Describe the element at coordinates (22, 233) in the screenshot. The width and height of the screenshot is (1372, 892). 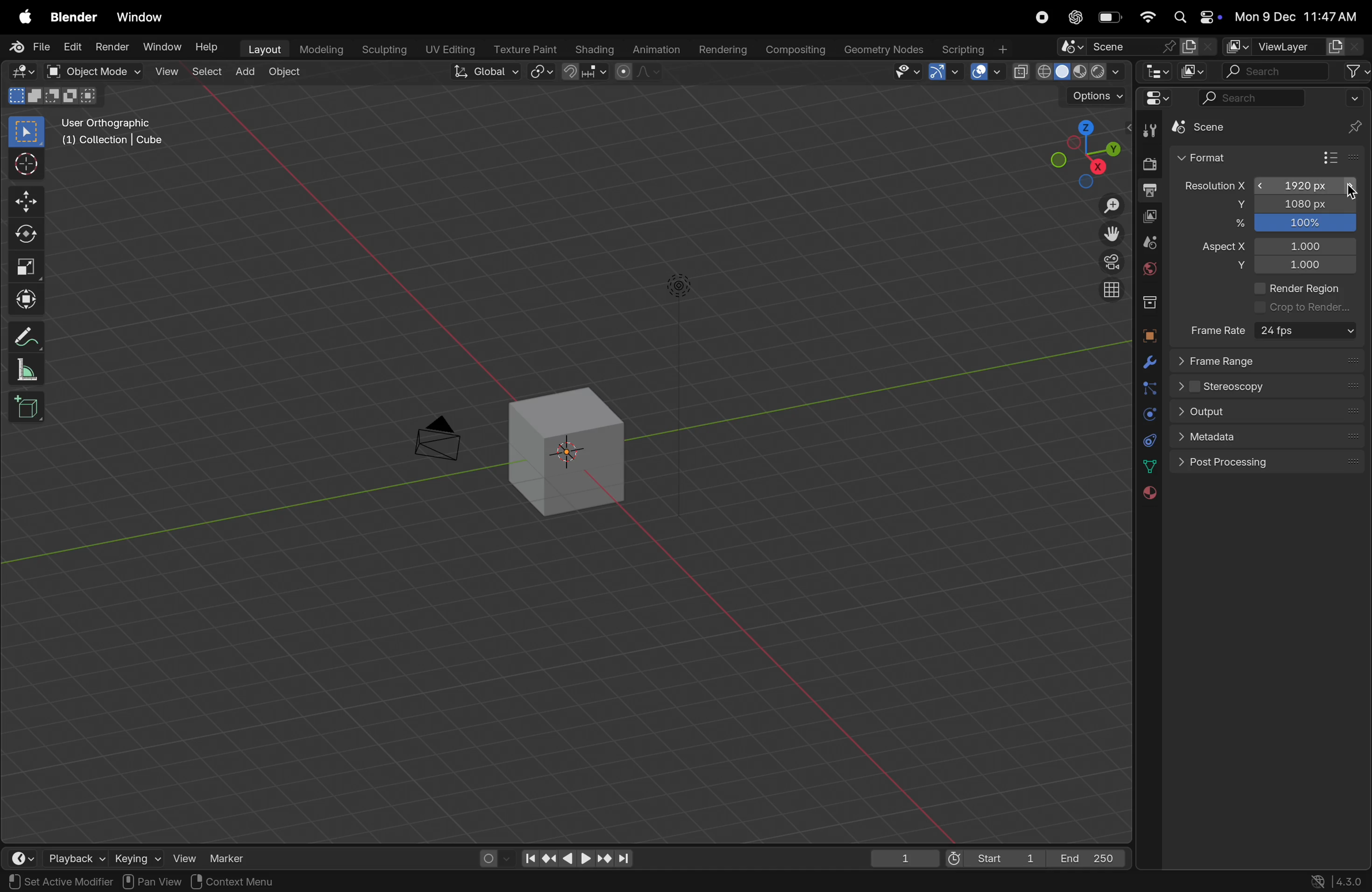
I see `rotate` at that location.